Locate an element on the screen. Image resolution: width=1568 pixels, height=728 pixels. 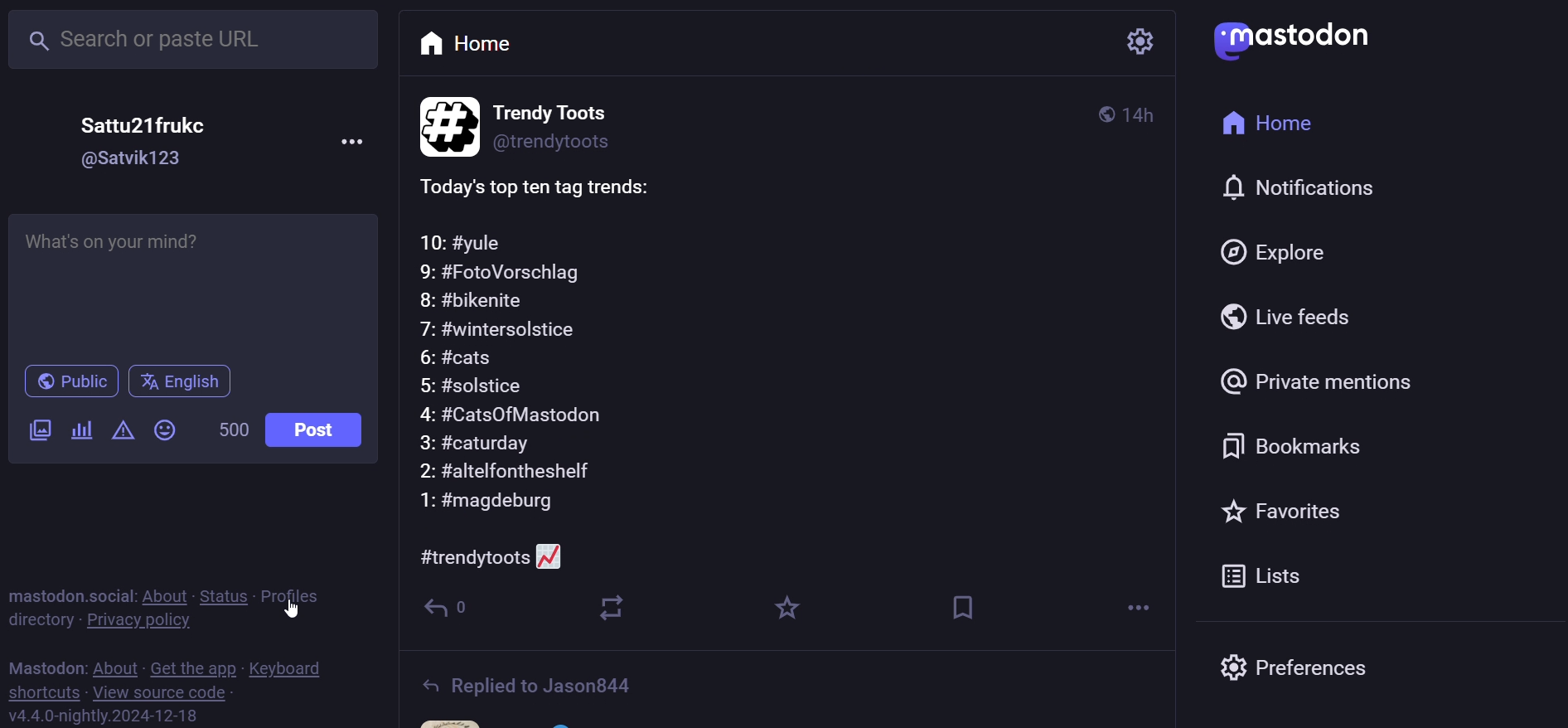
live feed is located at coordinates (1294, 320).